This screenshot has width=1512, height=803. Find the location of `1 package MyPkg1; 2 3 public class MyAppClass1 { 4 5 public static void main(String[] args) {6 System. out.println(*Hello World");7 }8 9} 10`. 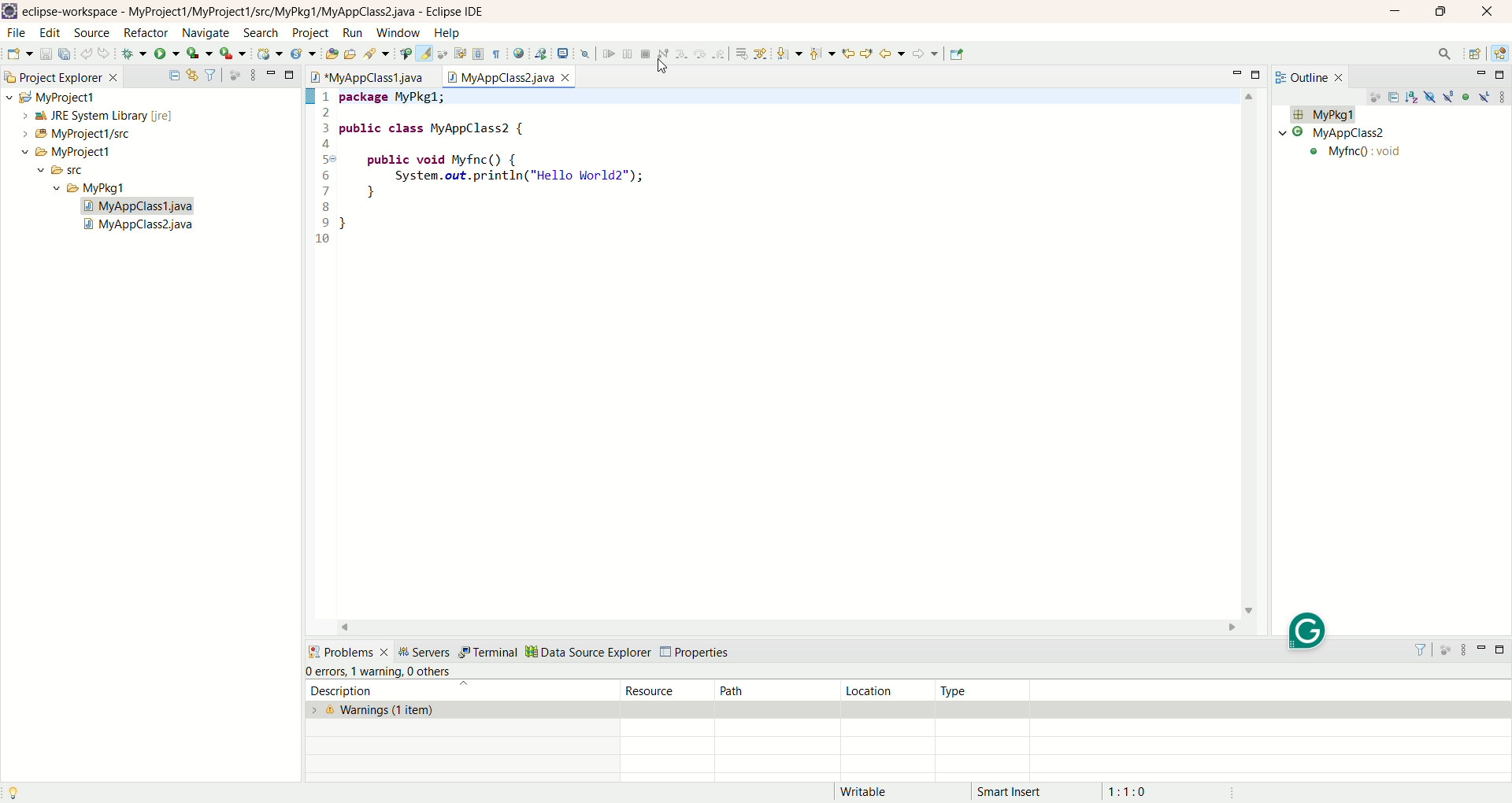

1 package MyPkg1; 2 3 public class MyAppClass1 { 4 5 public static void main(String[] args) {6 System. out.println(*Hello World");7 }8 9} 10 is located at coordinates (525, 176).